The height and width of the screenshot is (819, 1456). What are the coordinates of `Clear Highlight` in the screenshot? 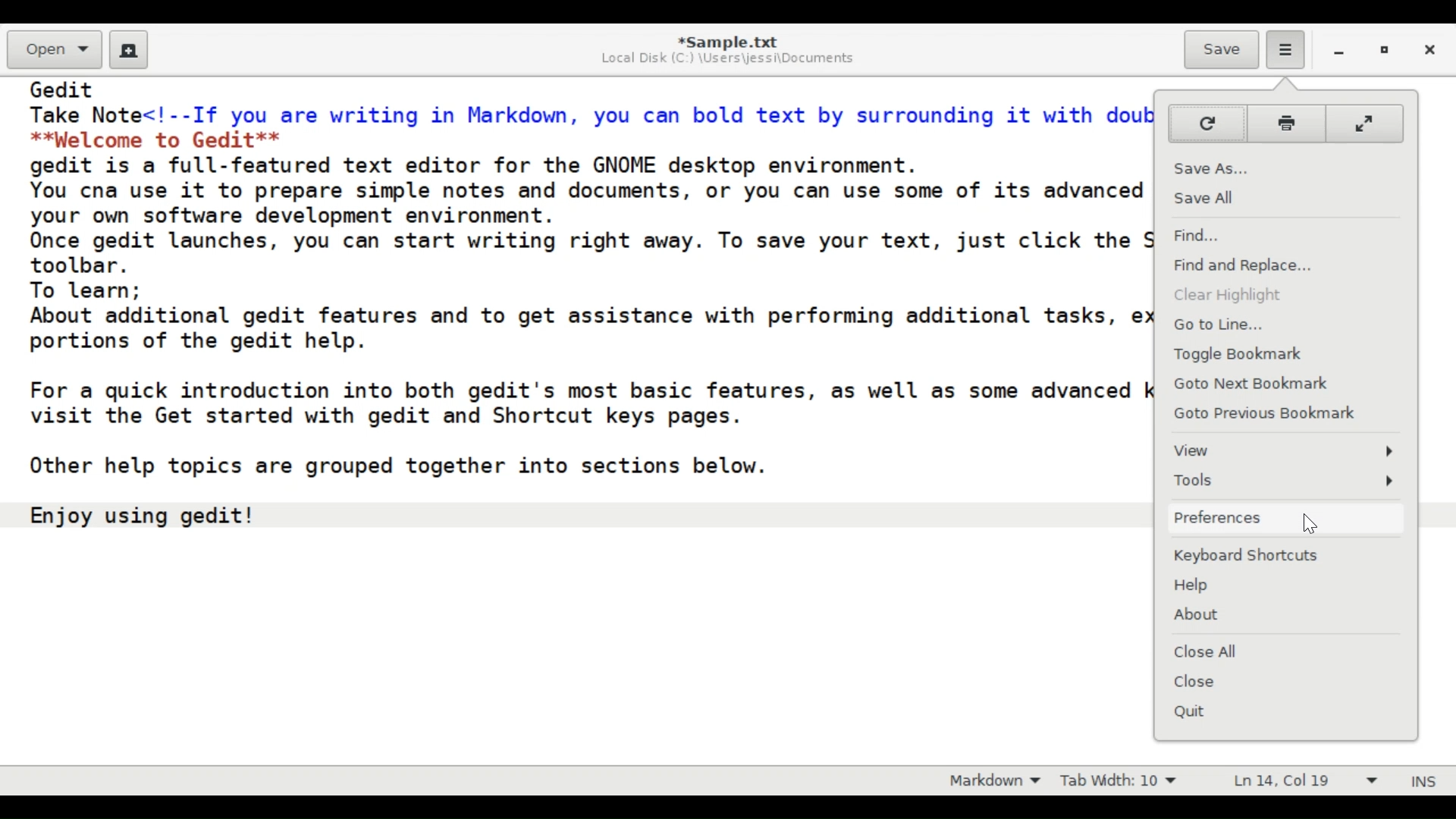 It's located at (1285, 297).